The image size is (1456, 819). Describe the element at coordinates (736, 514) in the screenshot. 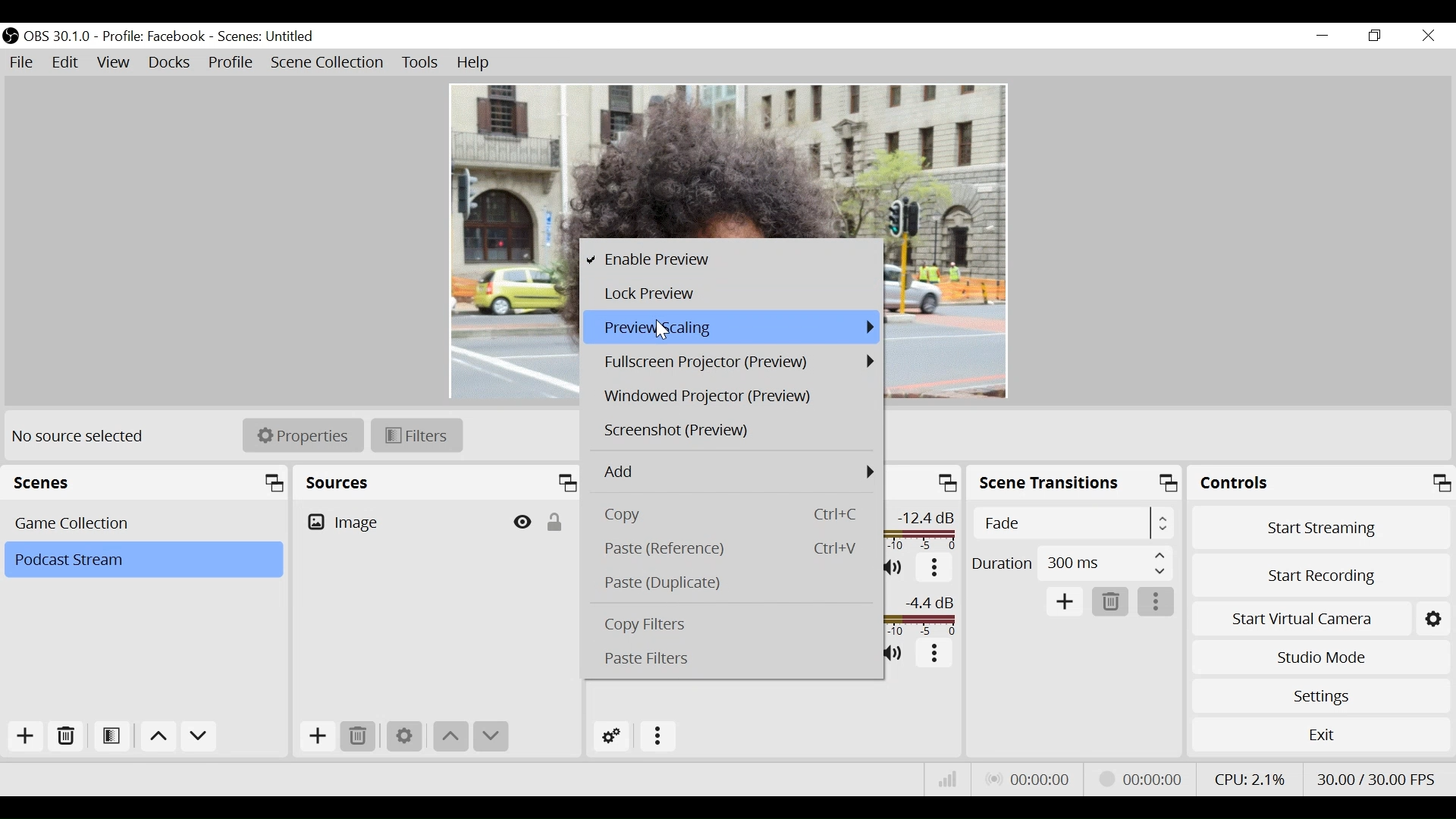

I see `Copy` at that location.